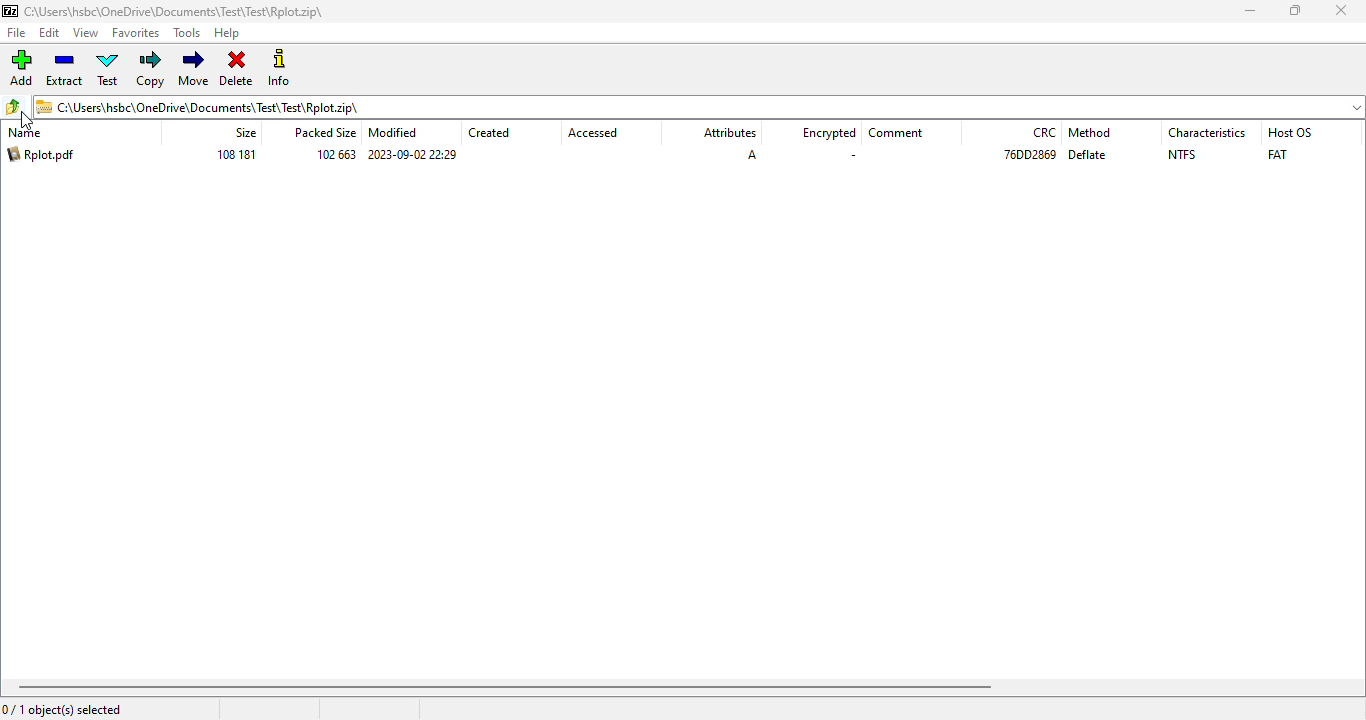 The image size is (1366, 720). I want to click on deflate, so click(1087, 155).